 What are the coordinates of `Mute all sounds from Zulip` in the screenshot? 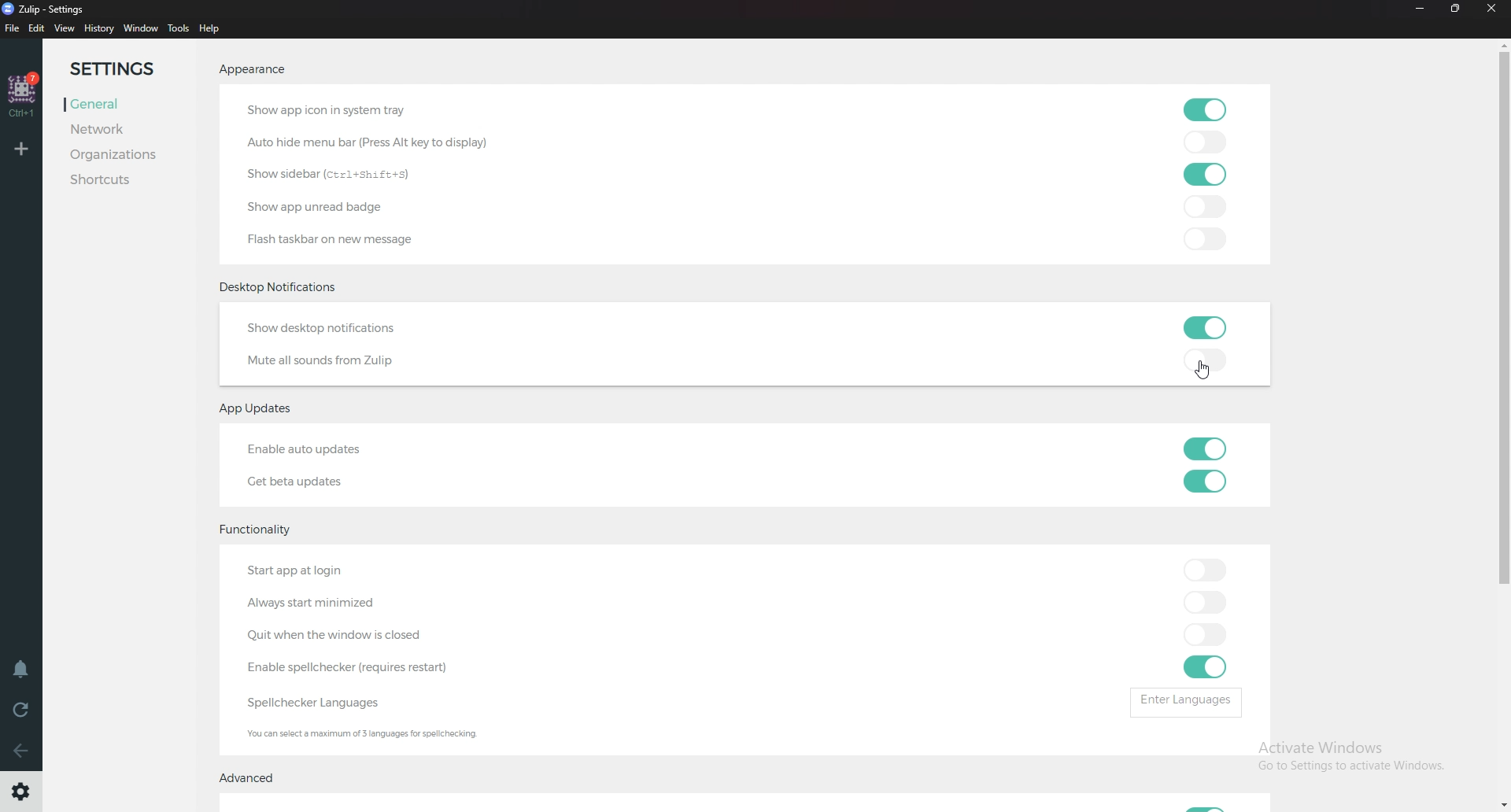 It's located at (329, 360).